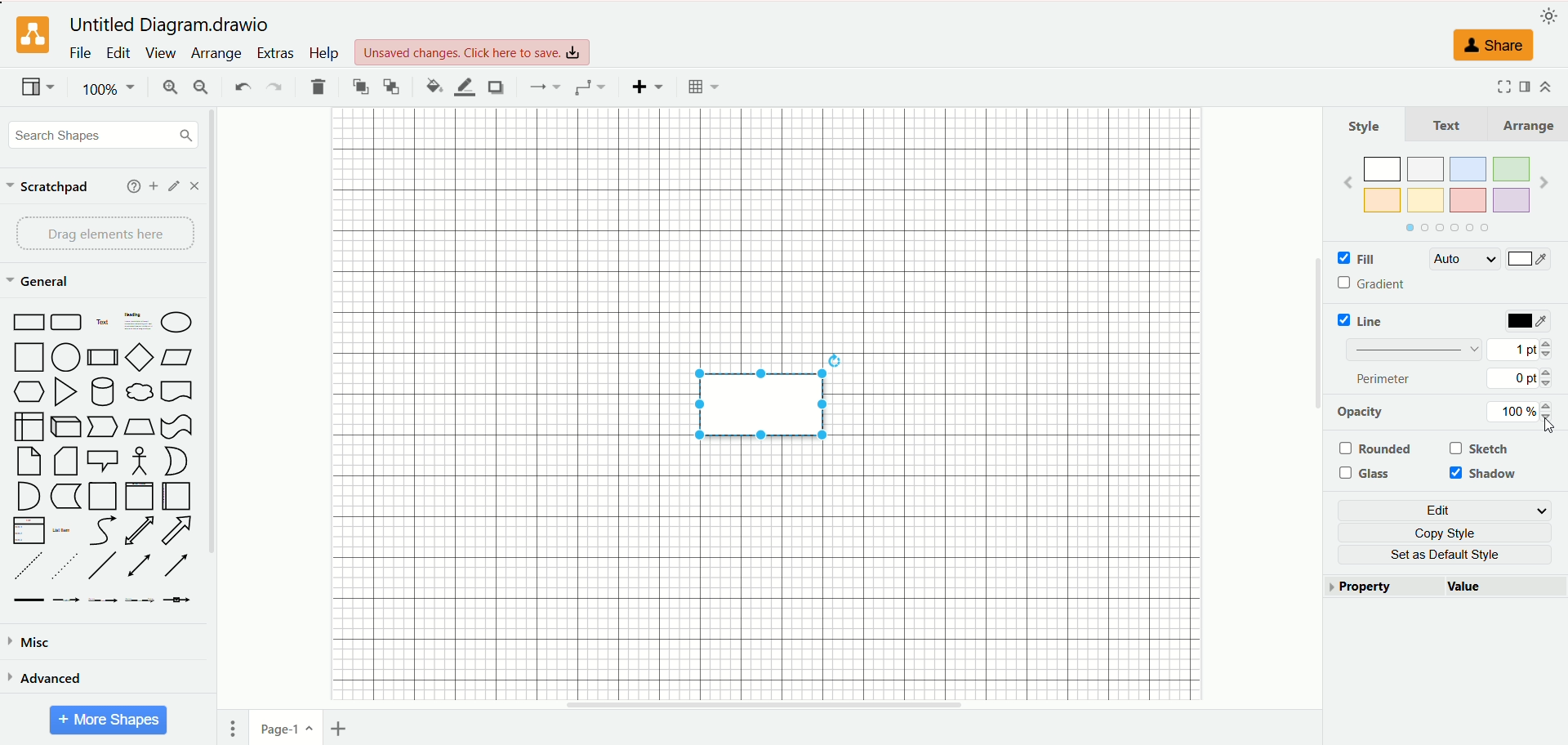 The image size is (1568, 745). What do you see at coordinates (590, 87) in the screenshot?
I see `waypoint` at bounding box center [590, 87].